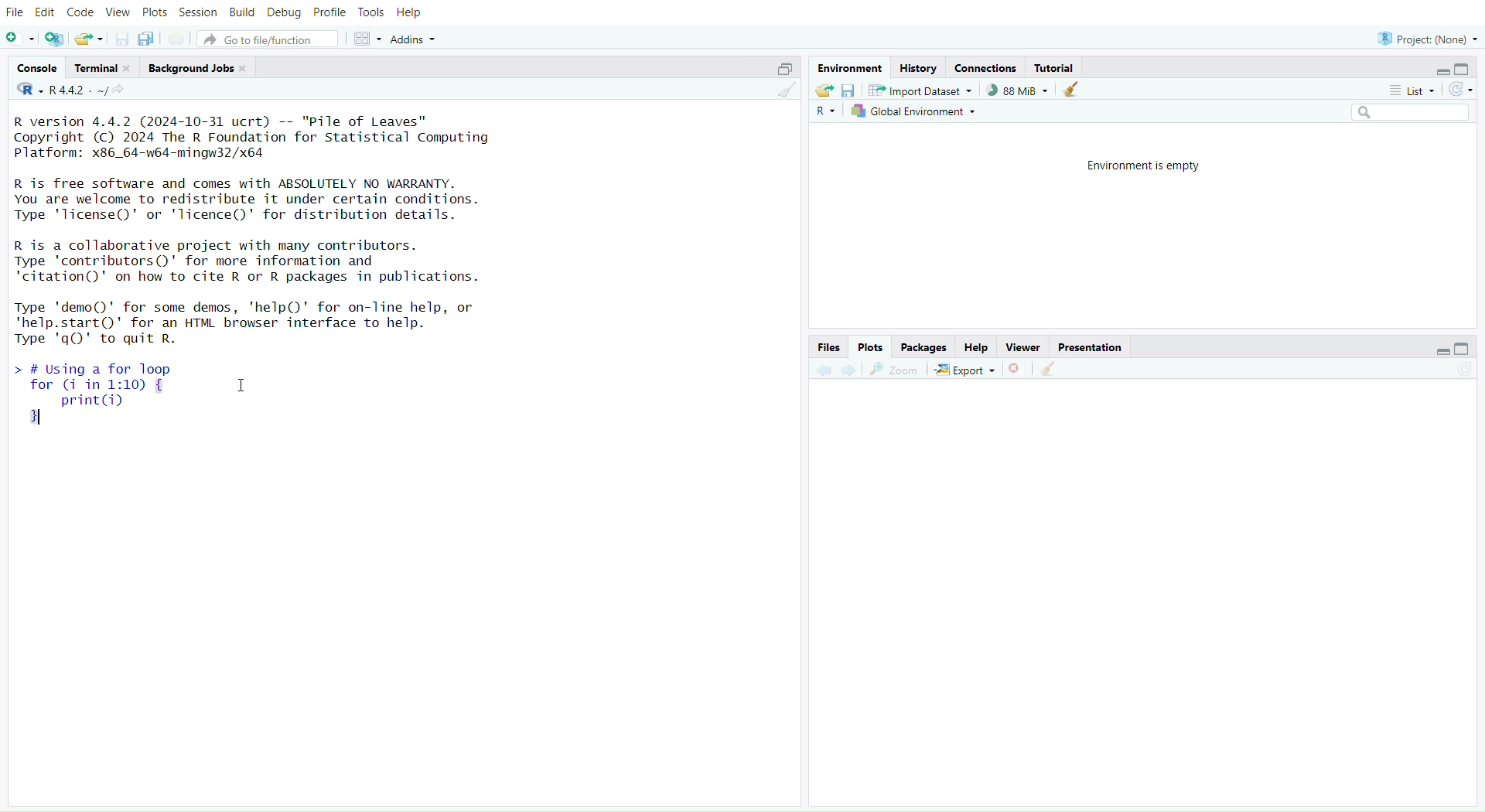 This screenshot has width=1485, height=812. Describe the element at coordinates (19, 38) in the screenshot. I see `new script` at that location.